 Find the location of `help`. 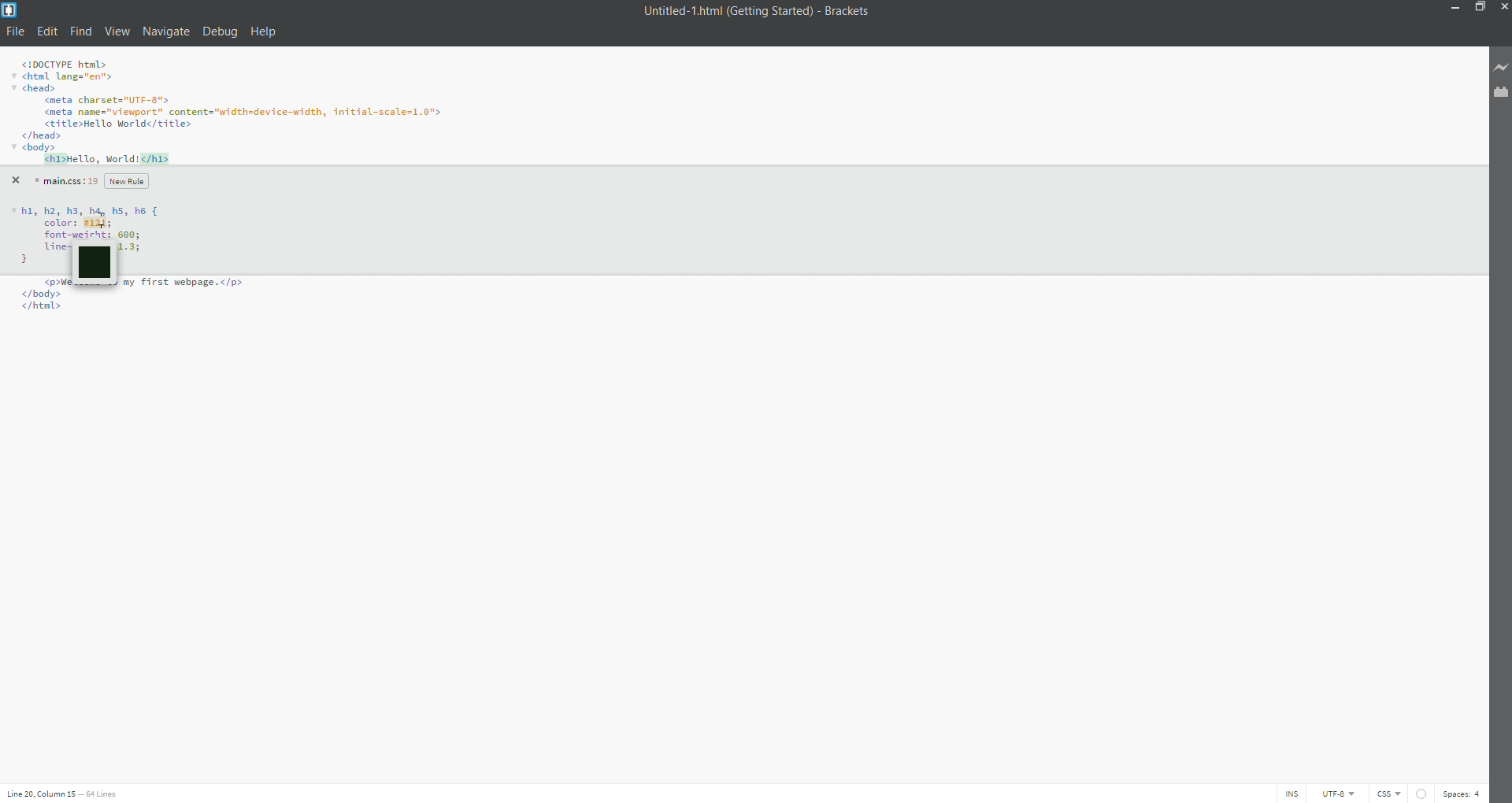

help is located at coordinates (266, 32).